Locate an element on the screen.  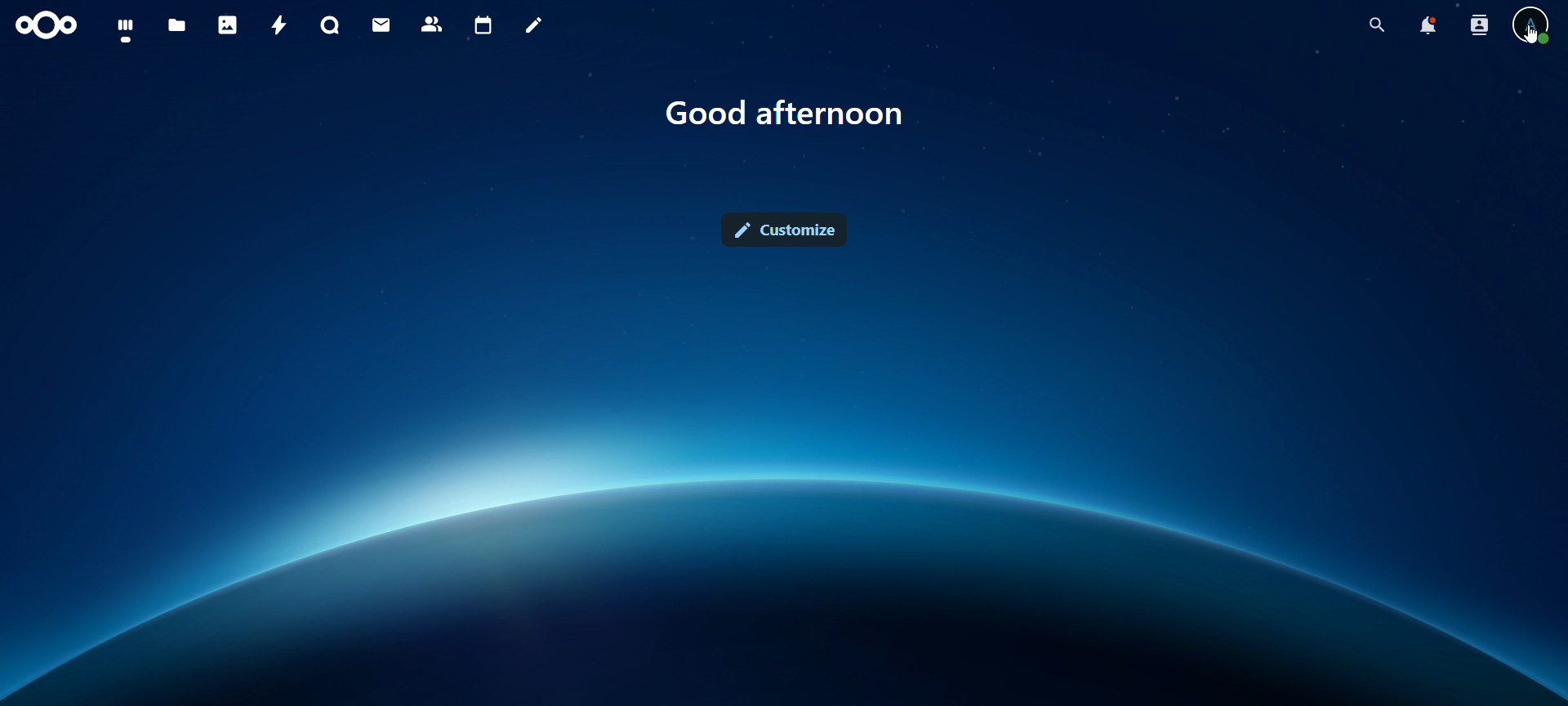
search contacts is located at coordinates (1480, 26).